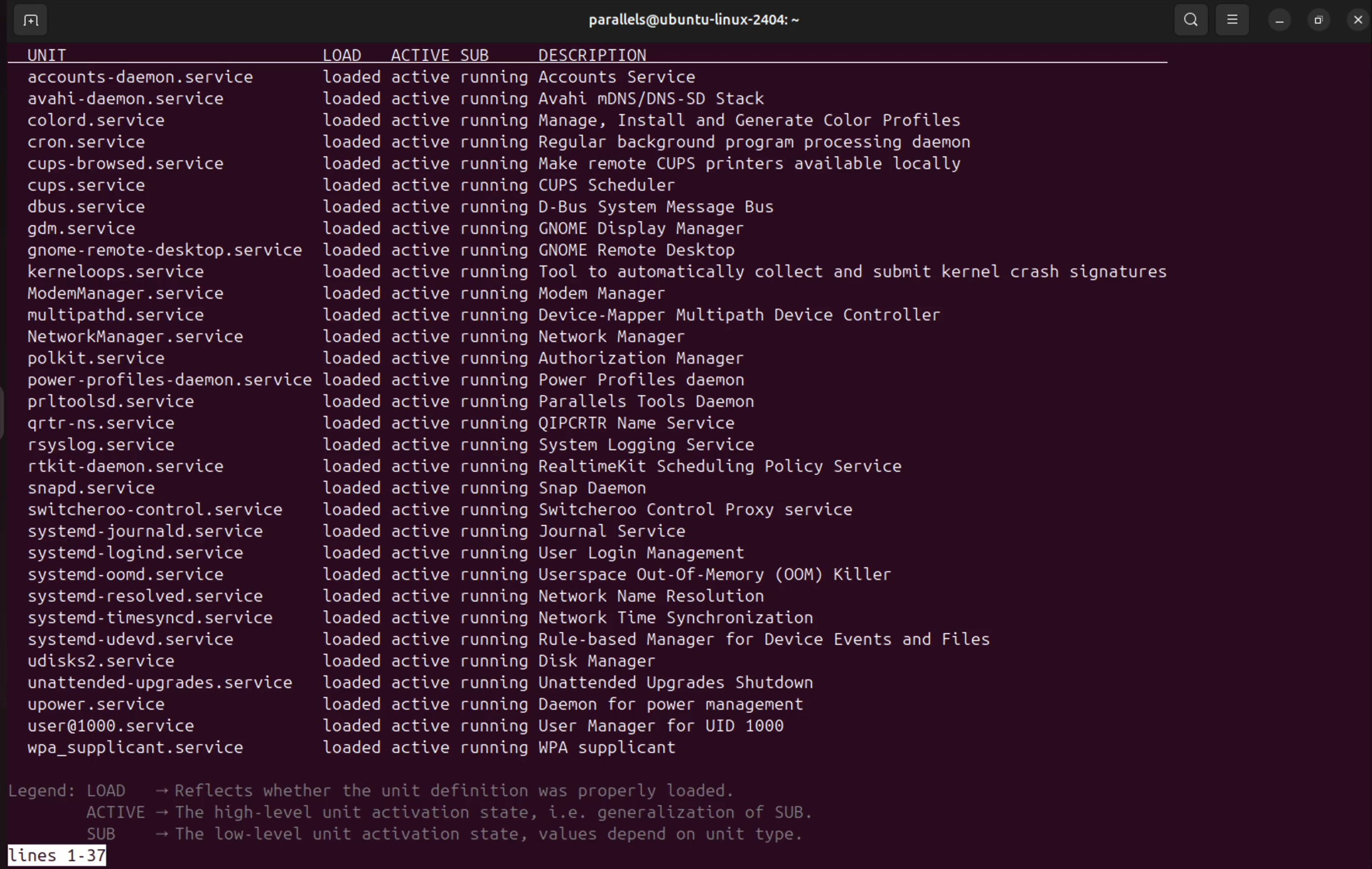 This screenshot has height=869, width=1372. Describe the element at coordinates (134, 273) in the screenshot. I see `kernel loops` at that location.